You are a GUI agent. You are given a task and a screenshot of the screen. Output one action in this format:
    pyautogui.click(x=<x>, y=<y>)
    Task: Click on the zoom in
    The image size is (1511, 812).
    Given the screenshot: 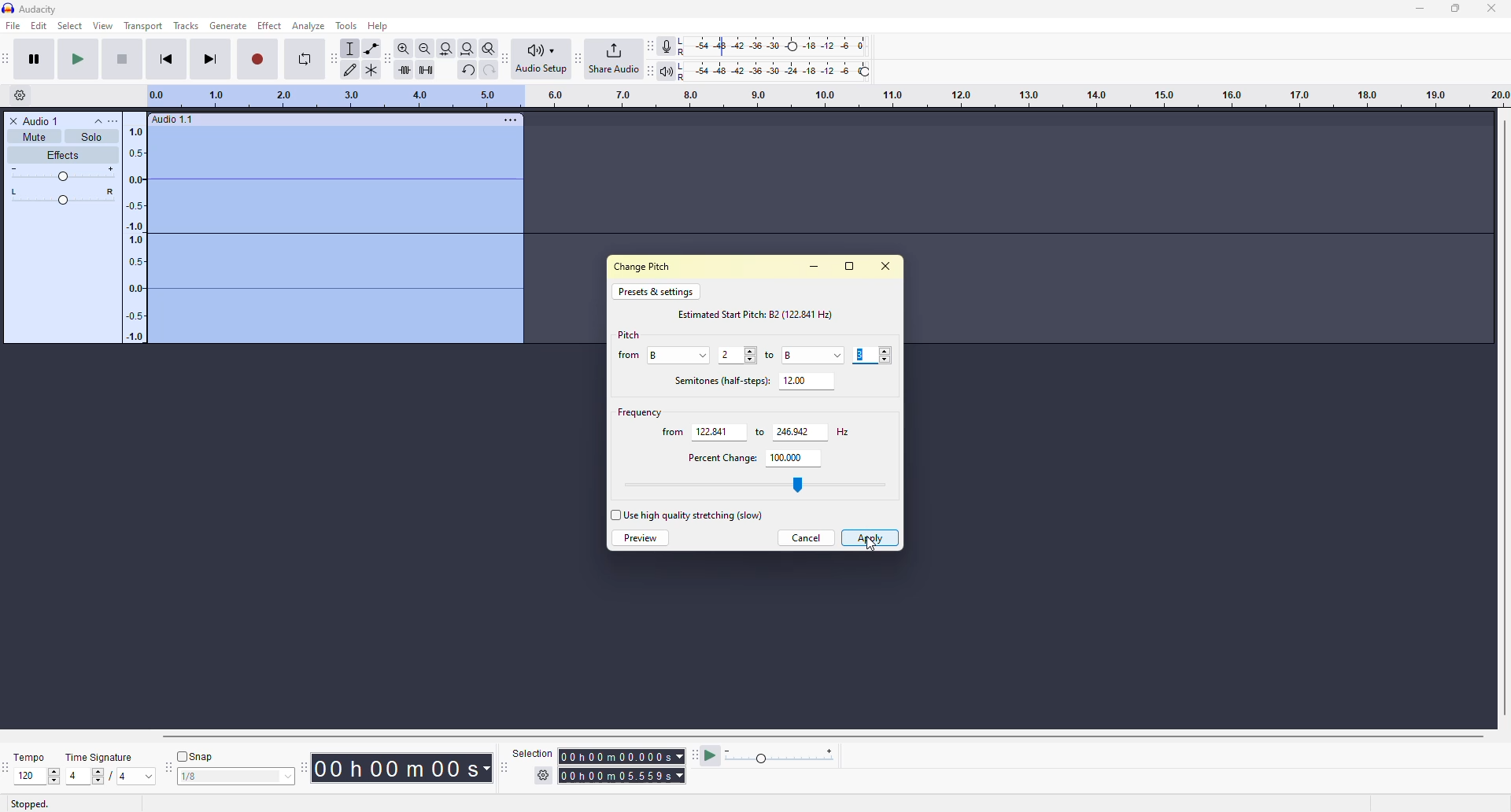 What is the action you would take?
    pyautogui.click(x=400, y=49)
    